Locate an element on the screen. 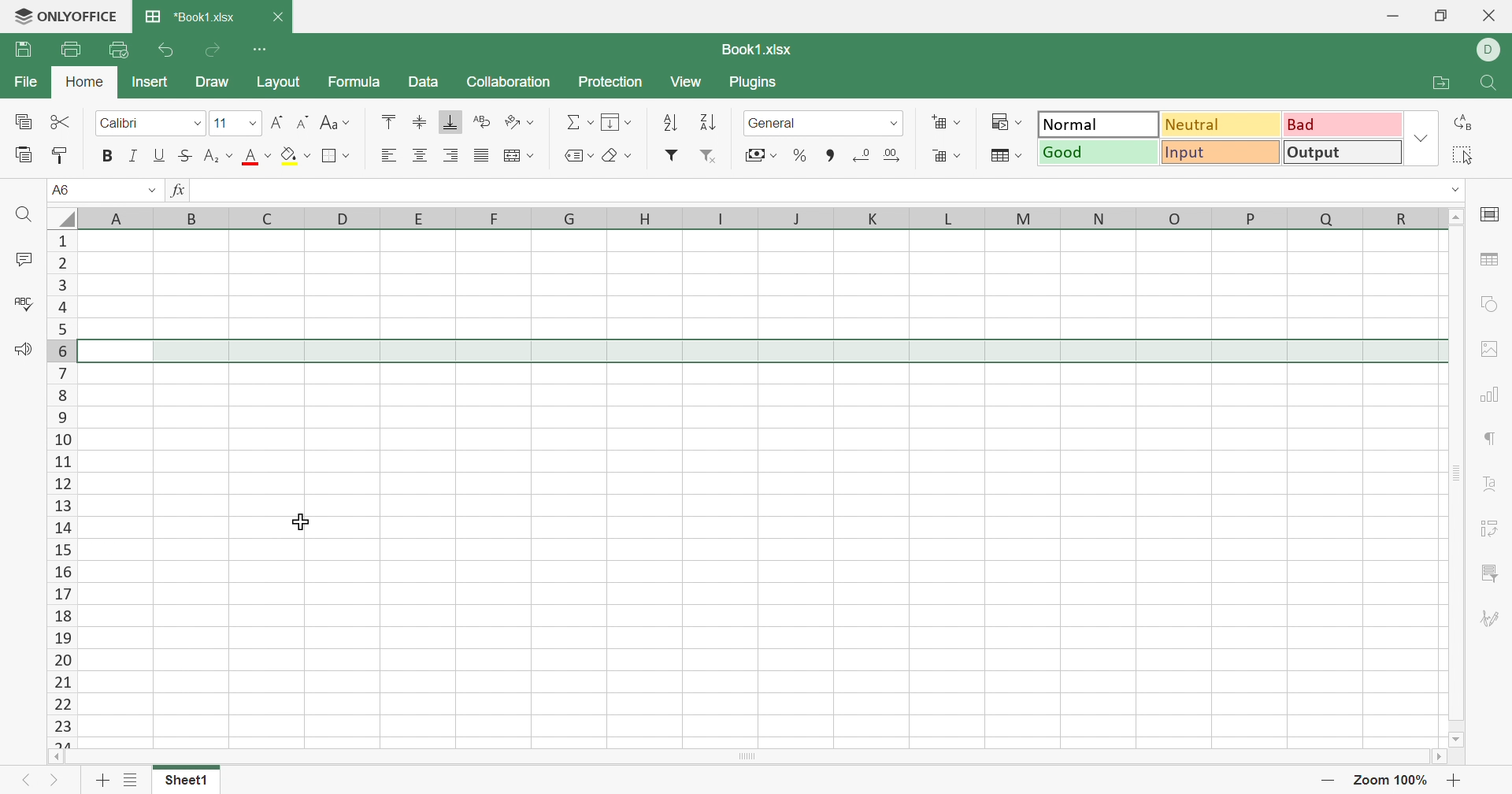 This screenshot has height=794, width=1512. Align Middle is located at coordinates (420, 124).